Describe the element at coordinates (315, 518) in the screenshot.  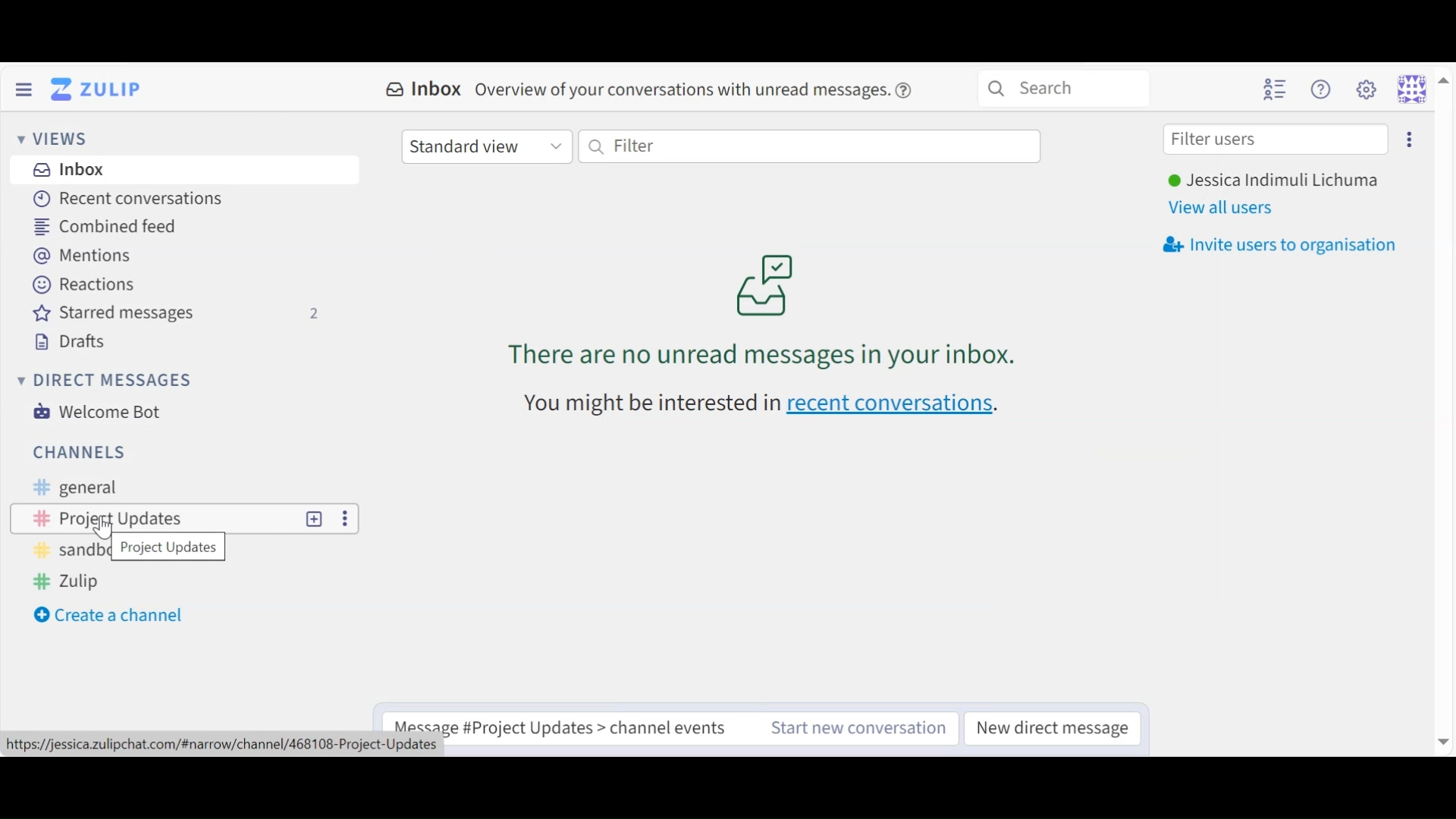
I see `New Topic` at that location.